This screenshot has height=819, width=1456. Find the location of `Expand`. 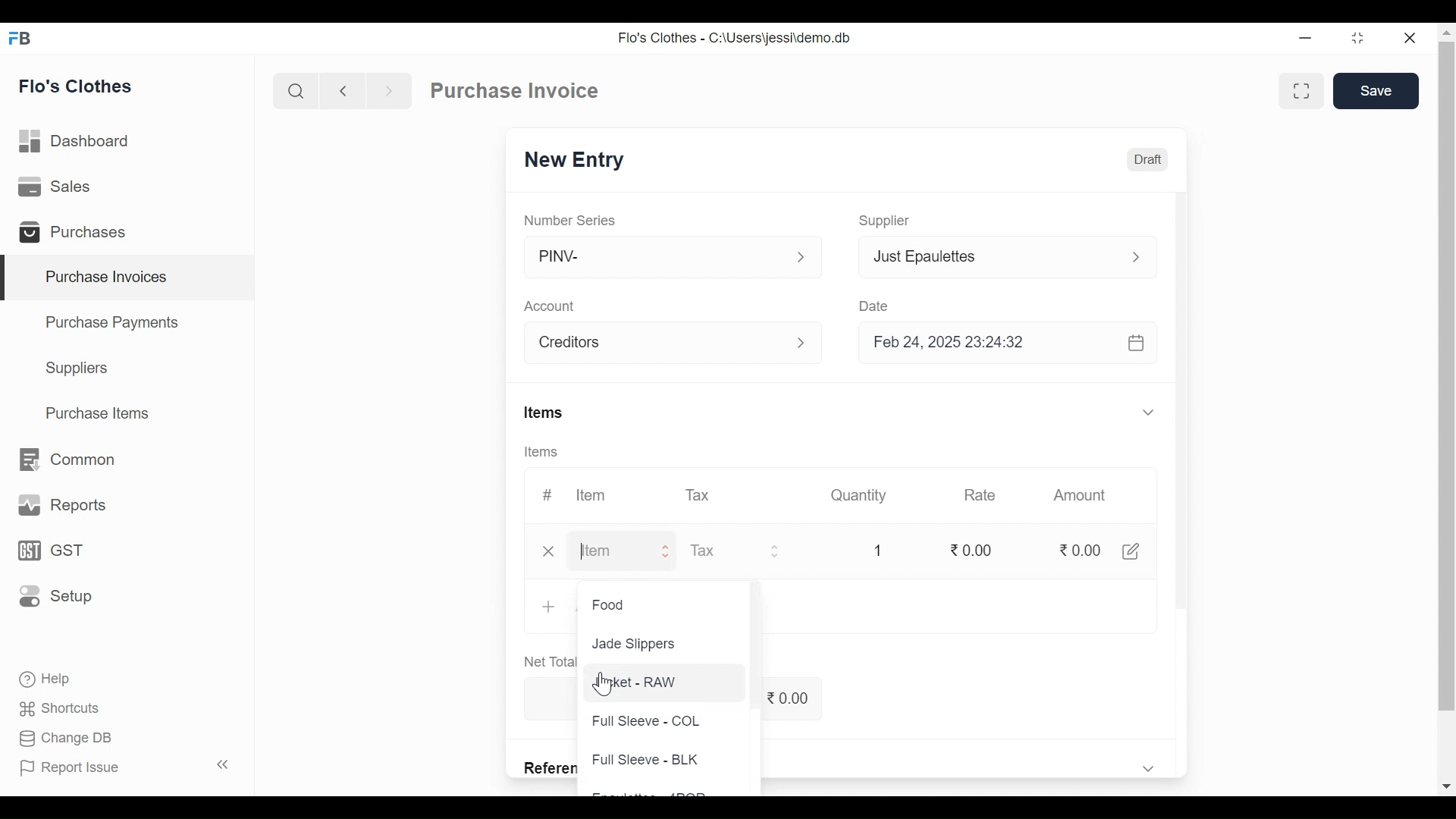

Expand is located at coordinates (1134, 256).